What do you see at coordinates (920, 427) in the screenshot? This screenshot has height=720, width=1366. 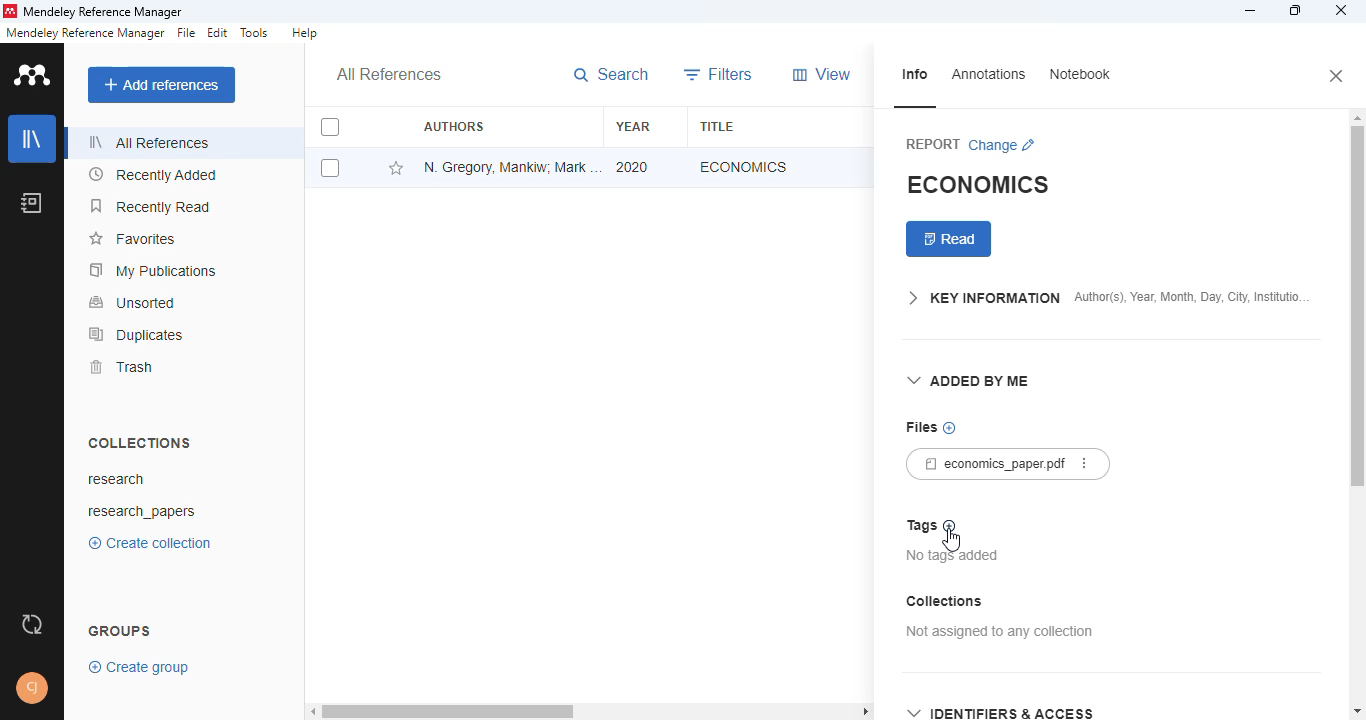 I see `files` at bounding box center [920, 427].